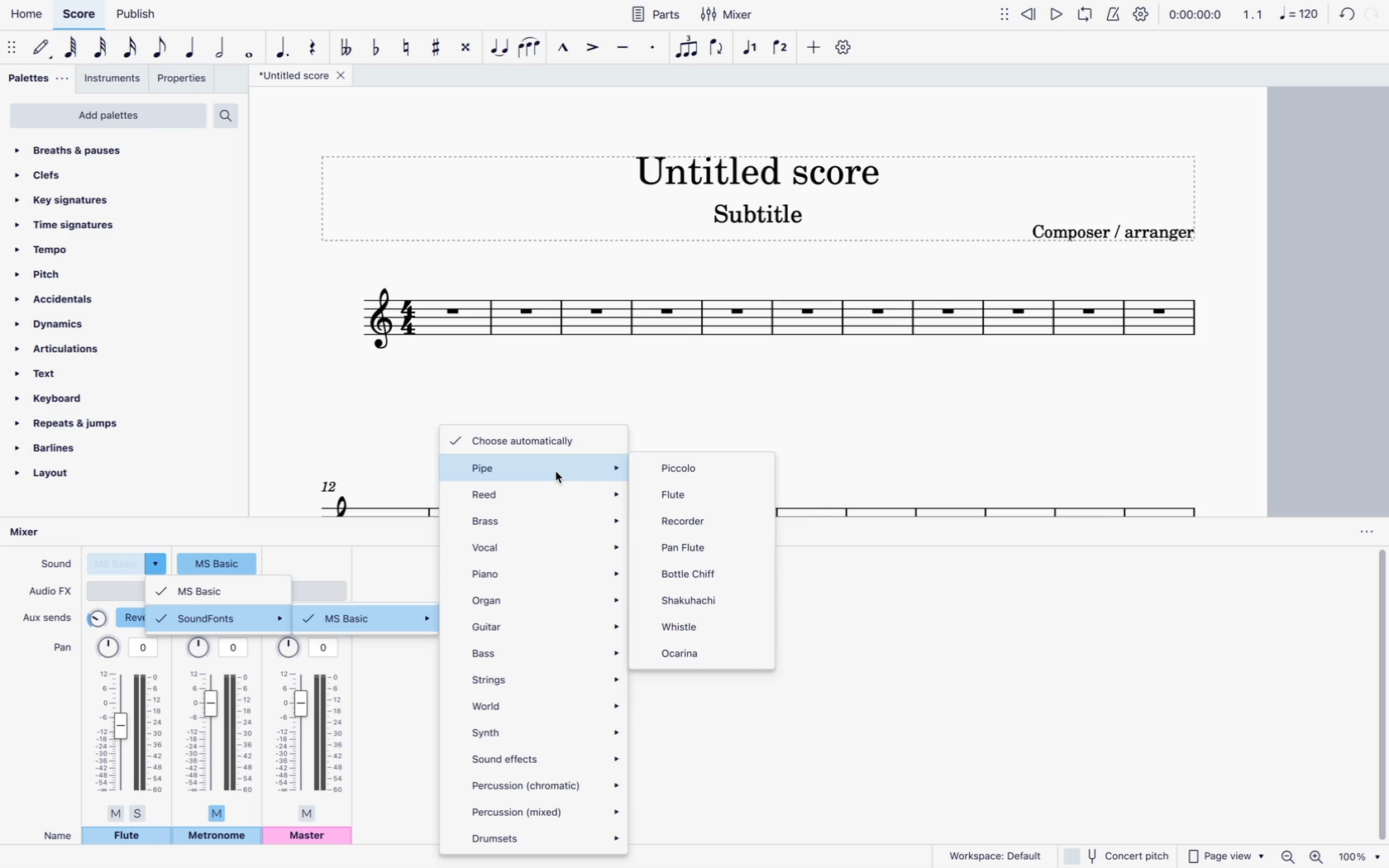 This screenshot has height=868, width=1389. Describe the element at coordinates (1344, 16) in the screenshot. I see `refresh` at that location.